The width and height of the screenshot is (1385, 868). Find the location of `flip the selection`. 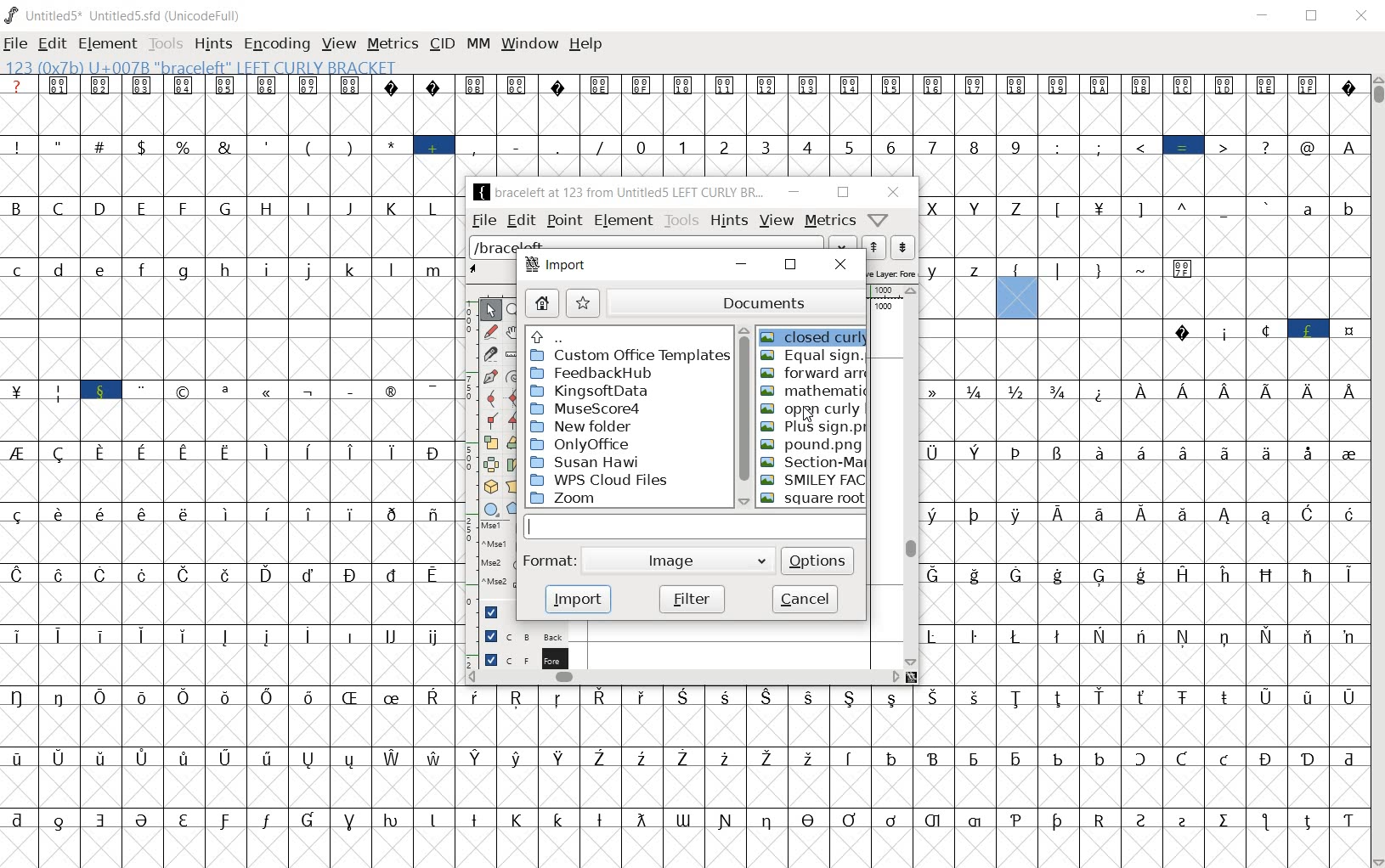

flip the selection is located at coordinates (515, 444).